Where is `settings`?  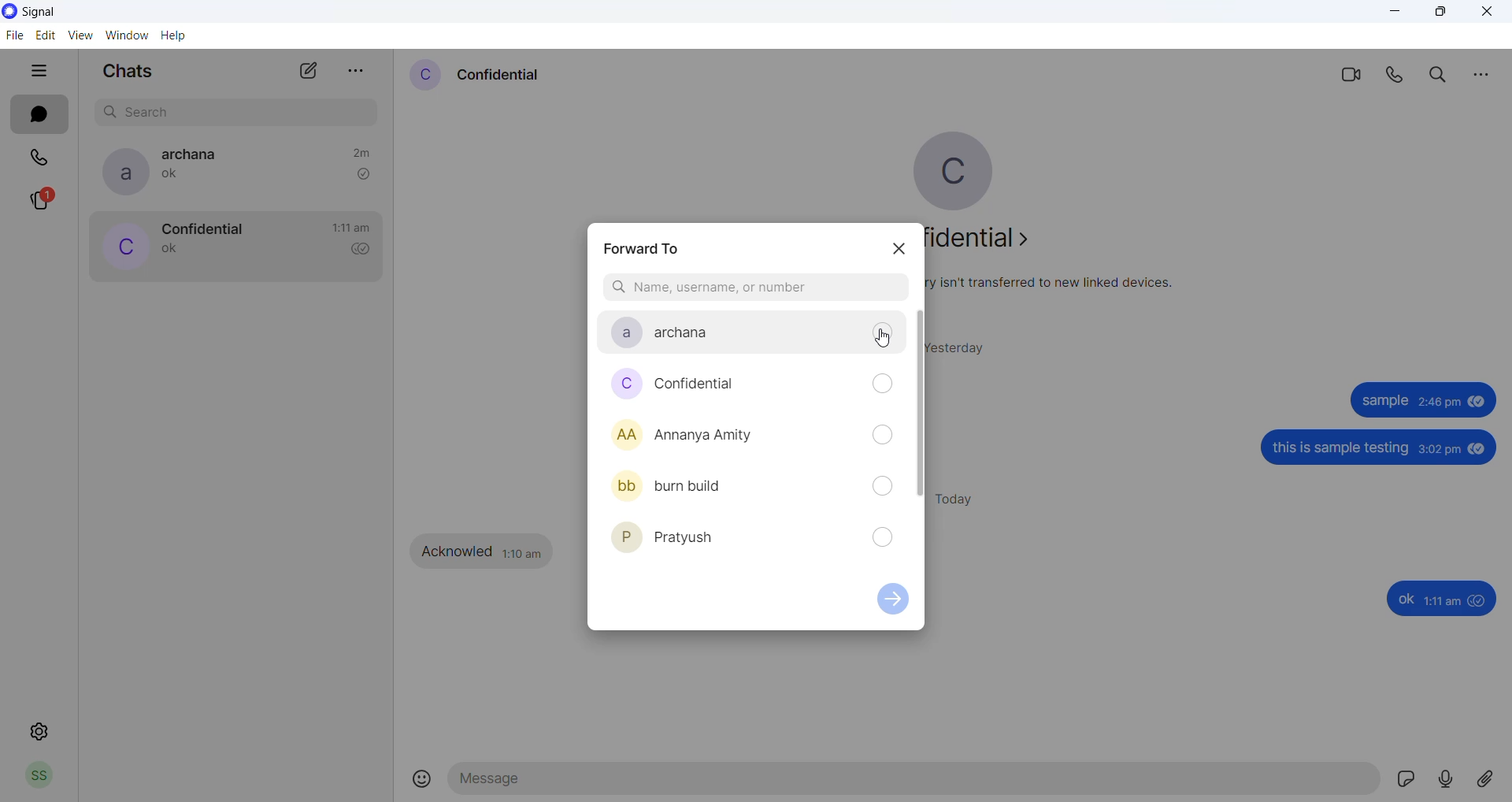 settings is located at coordinates (39, 732).